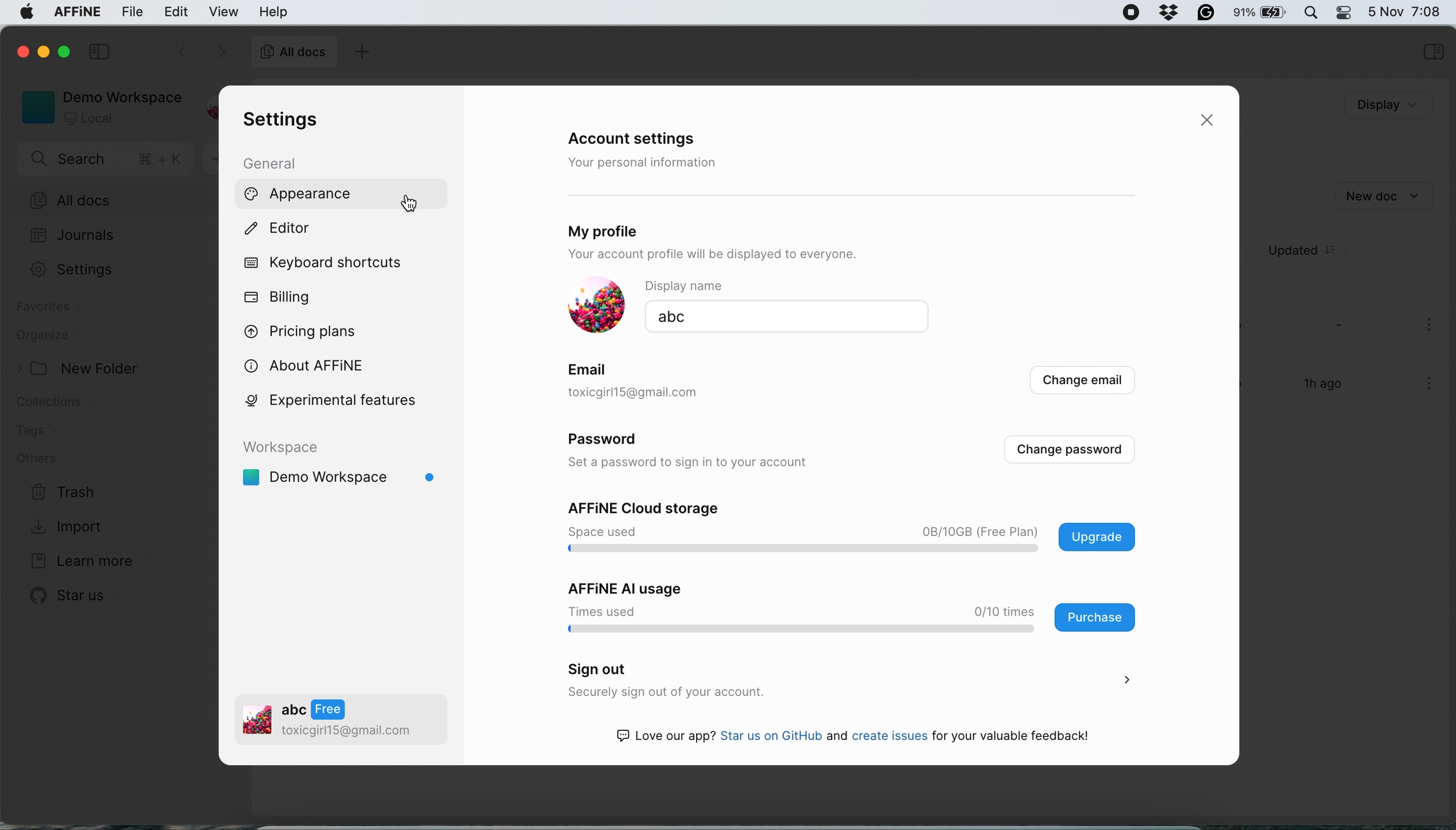 The image size is (1456, 830). Describe the element at coordinates (975, 530) in the screenshot. I see `nNnR/10CER (Ero Dian)` at that location.